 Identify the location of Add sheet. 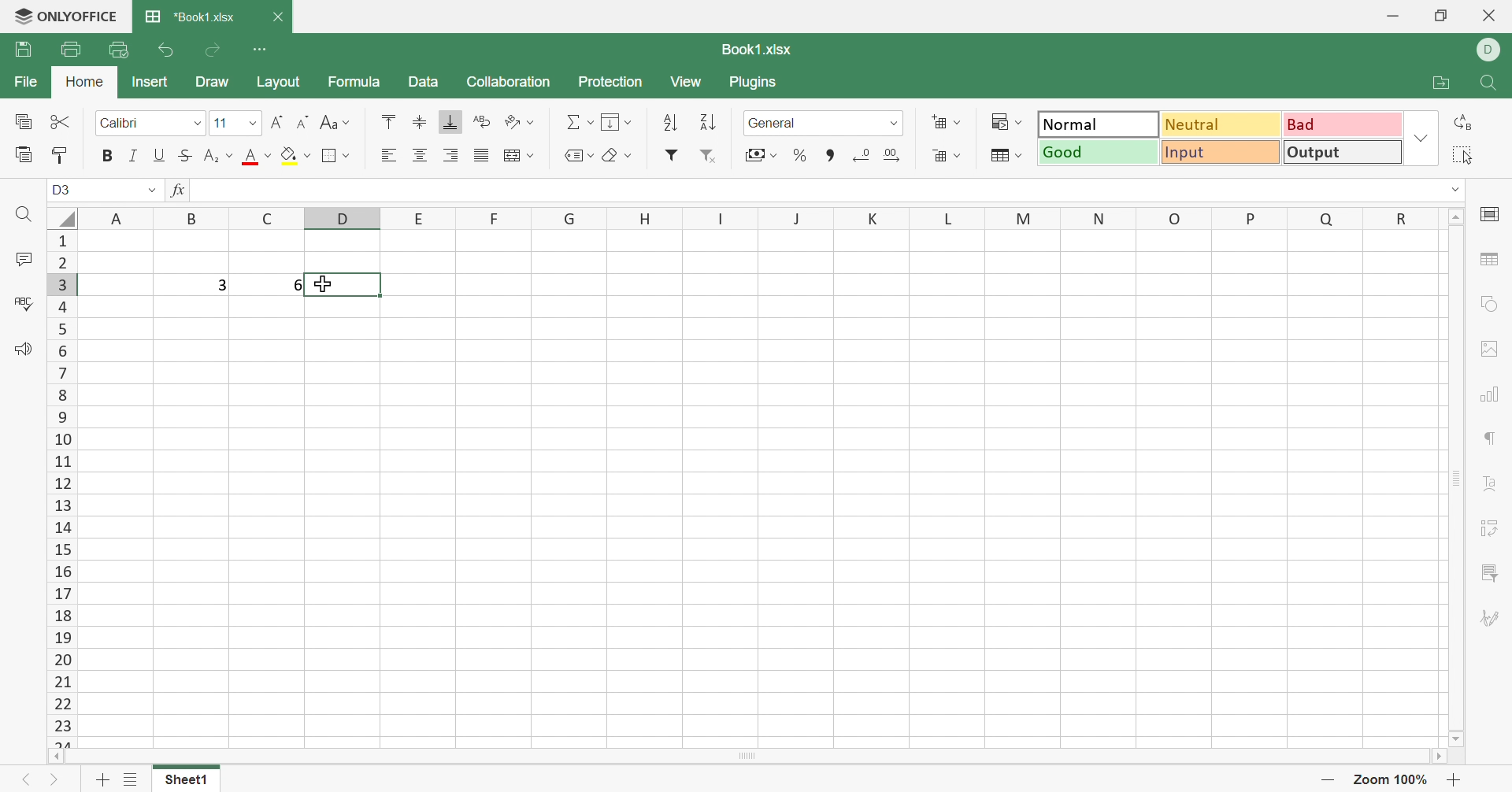
(99, 781).